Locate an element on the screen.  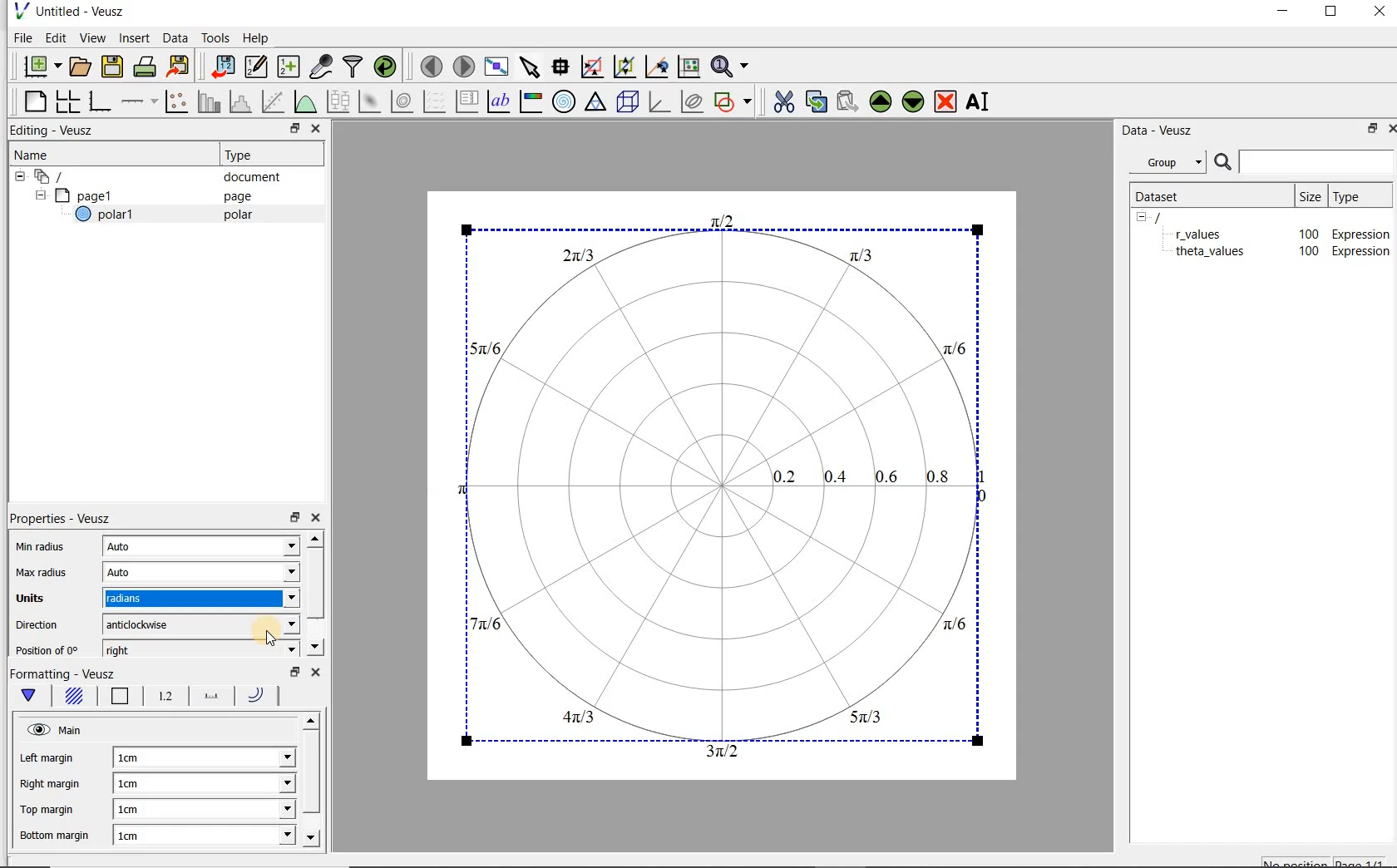
plot a vector field is located at coordinates (435, 100).